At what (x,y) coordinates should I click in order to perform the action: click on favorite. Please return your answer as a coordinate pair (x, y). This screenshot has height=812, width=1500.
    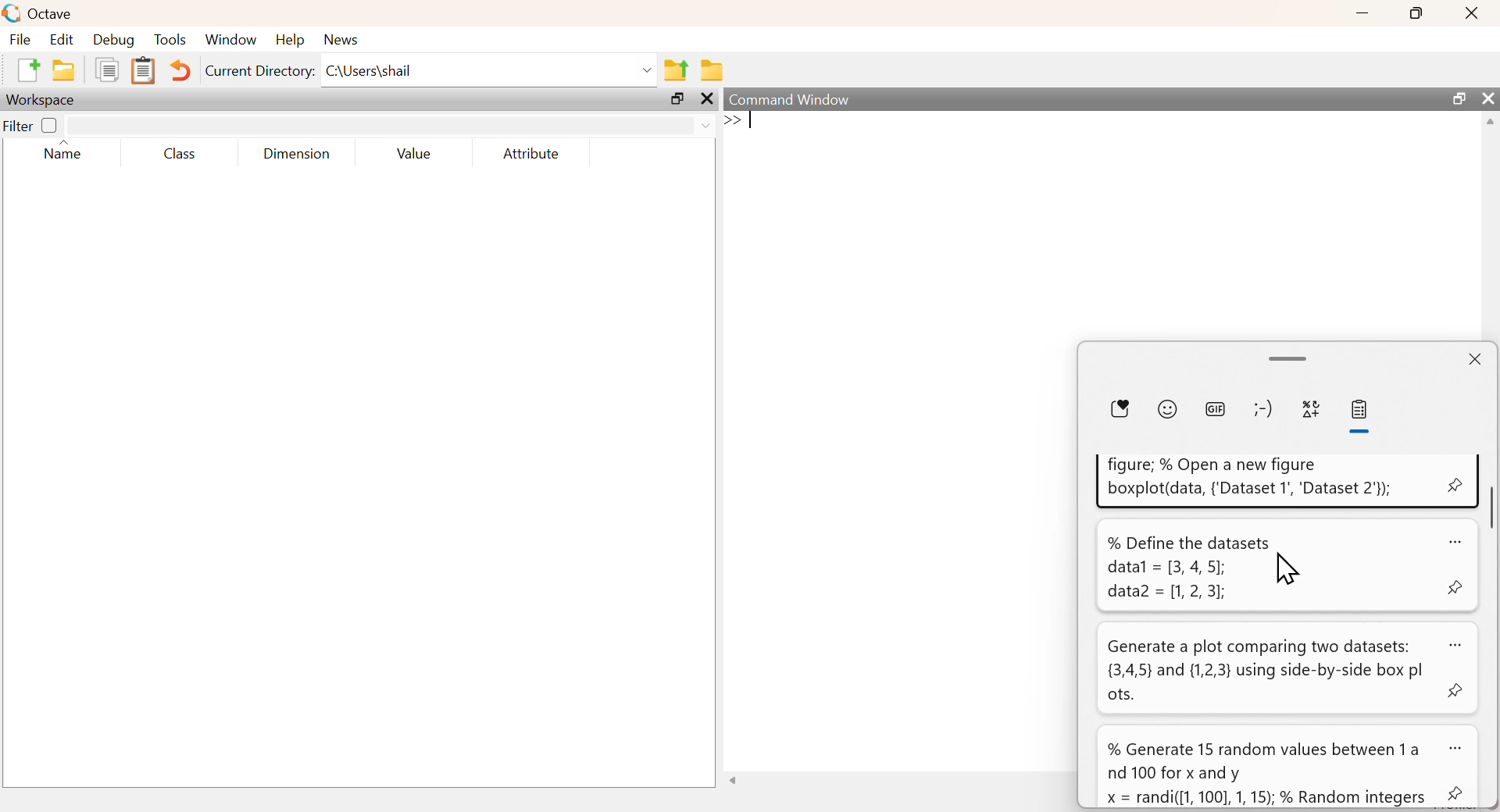
    Looking at the image, I should click on (1123, 408).